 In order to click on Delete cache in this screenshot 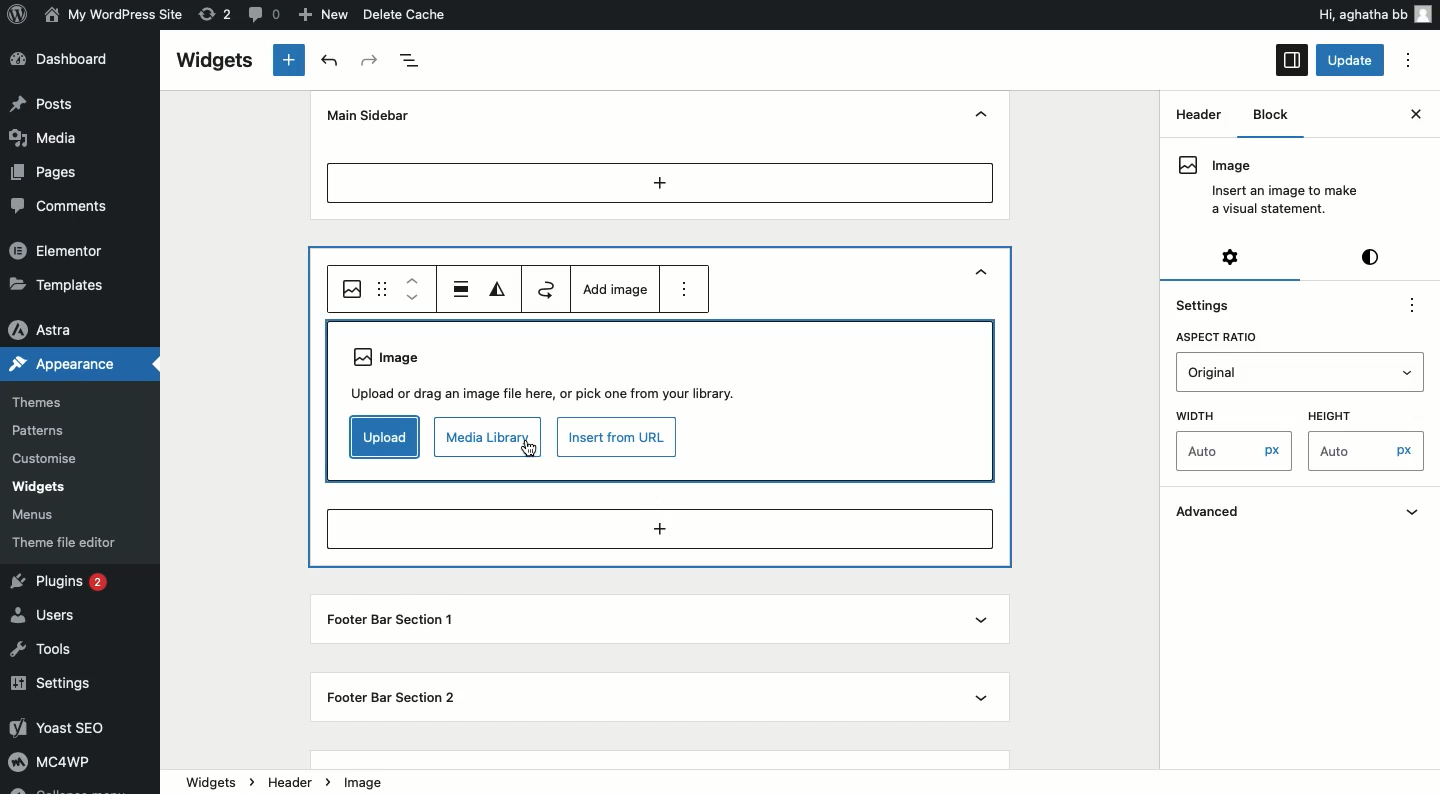, I will do `click(406, 14)`.